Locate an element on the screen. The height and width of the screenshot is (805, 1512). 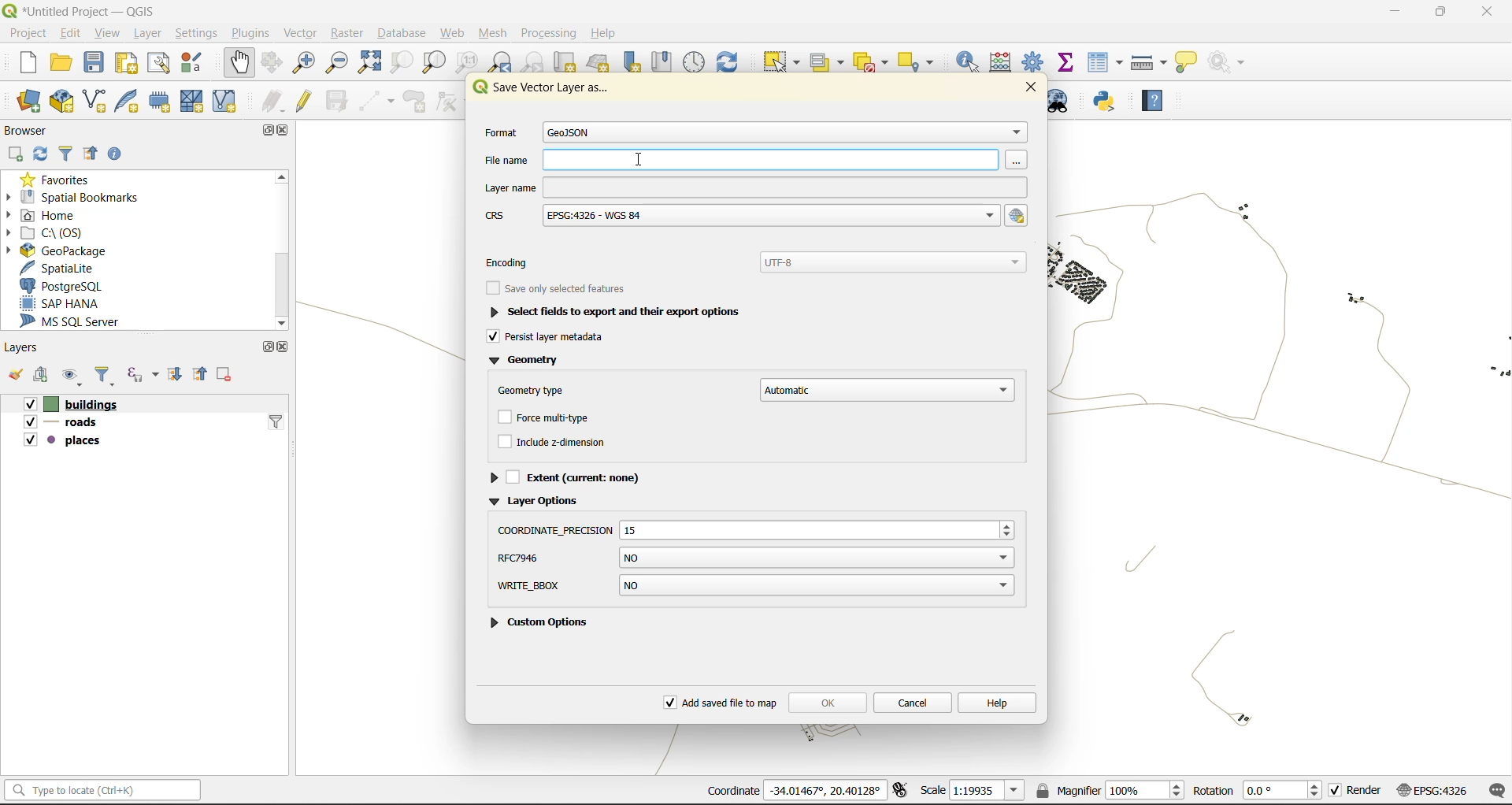
render is located at coordinates (1357, 791).